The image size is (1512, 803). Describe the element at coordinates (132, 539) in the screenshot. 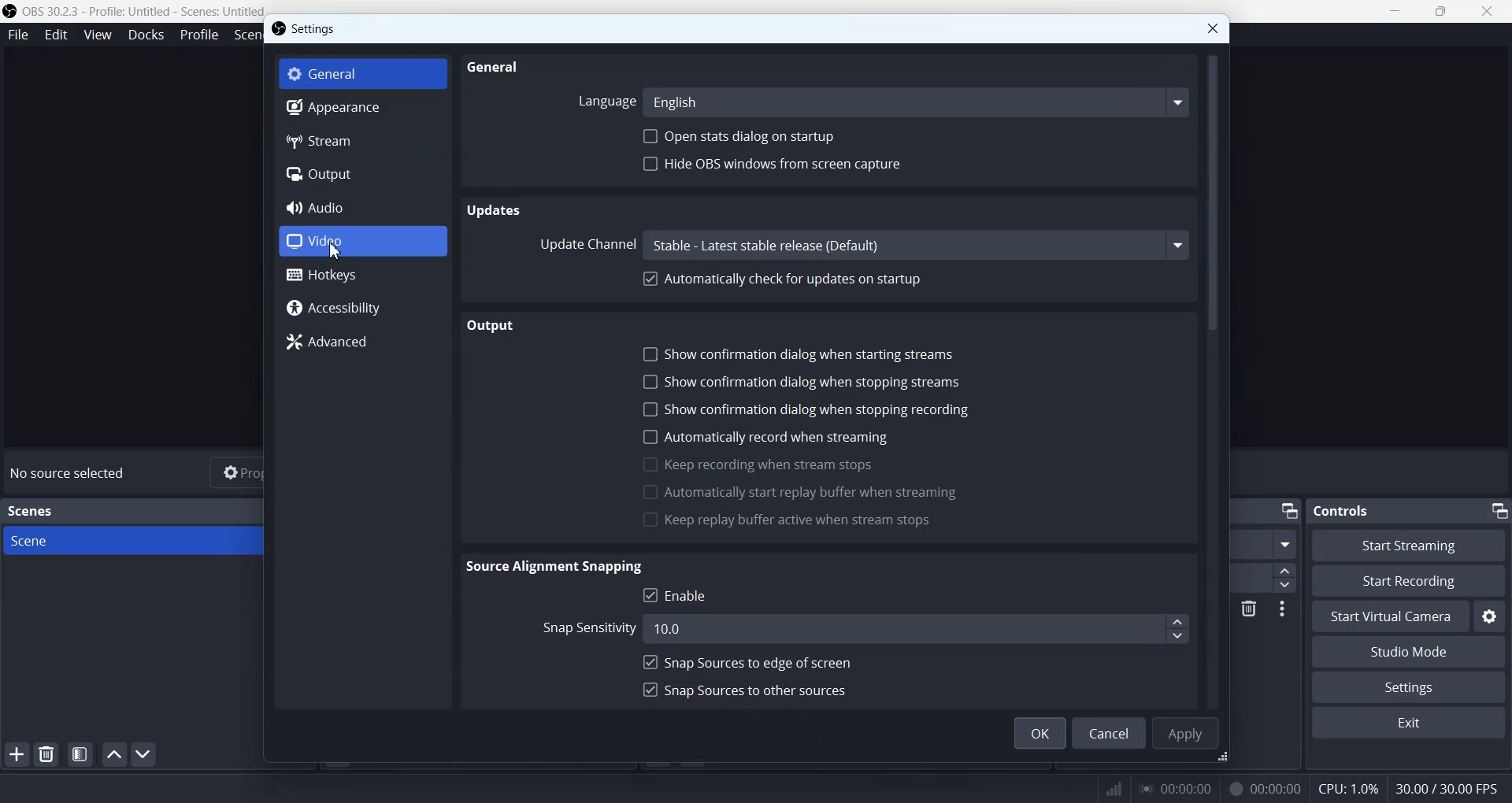

I see `Scene ` at that location.